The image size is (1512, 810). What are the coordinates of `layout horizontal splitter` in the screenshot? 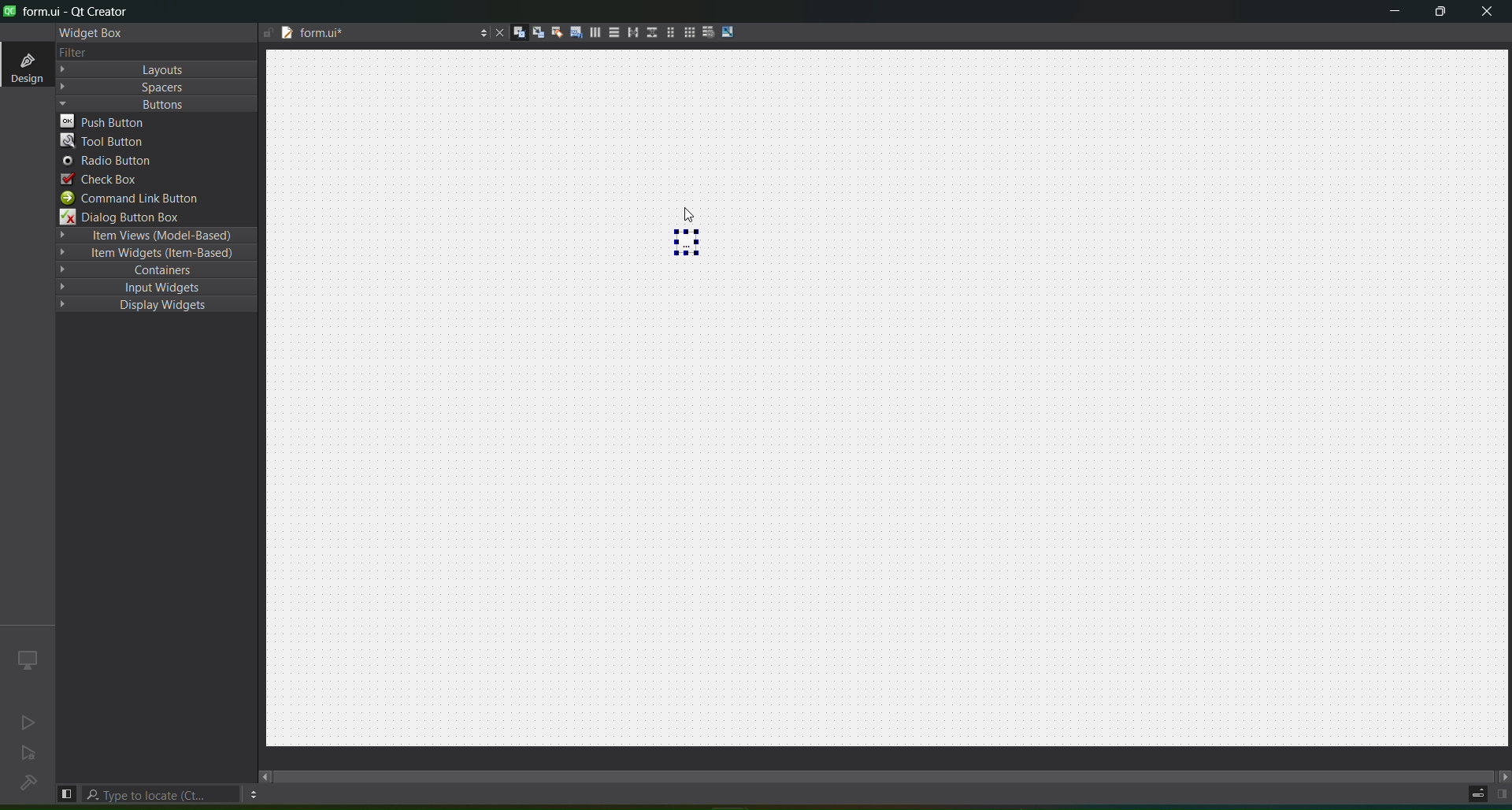 It's located at (630, 32).